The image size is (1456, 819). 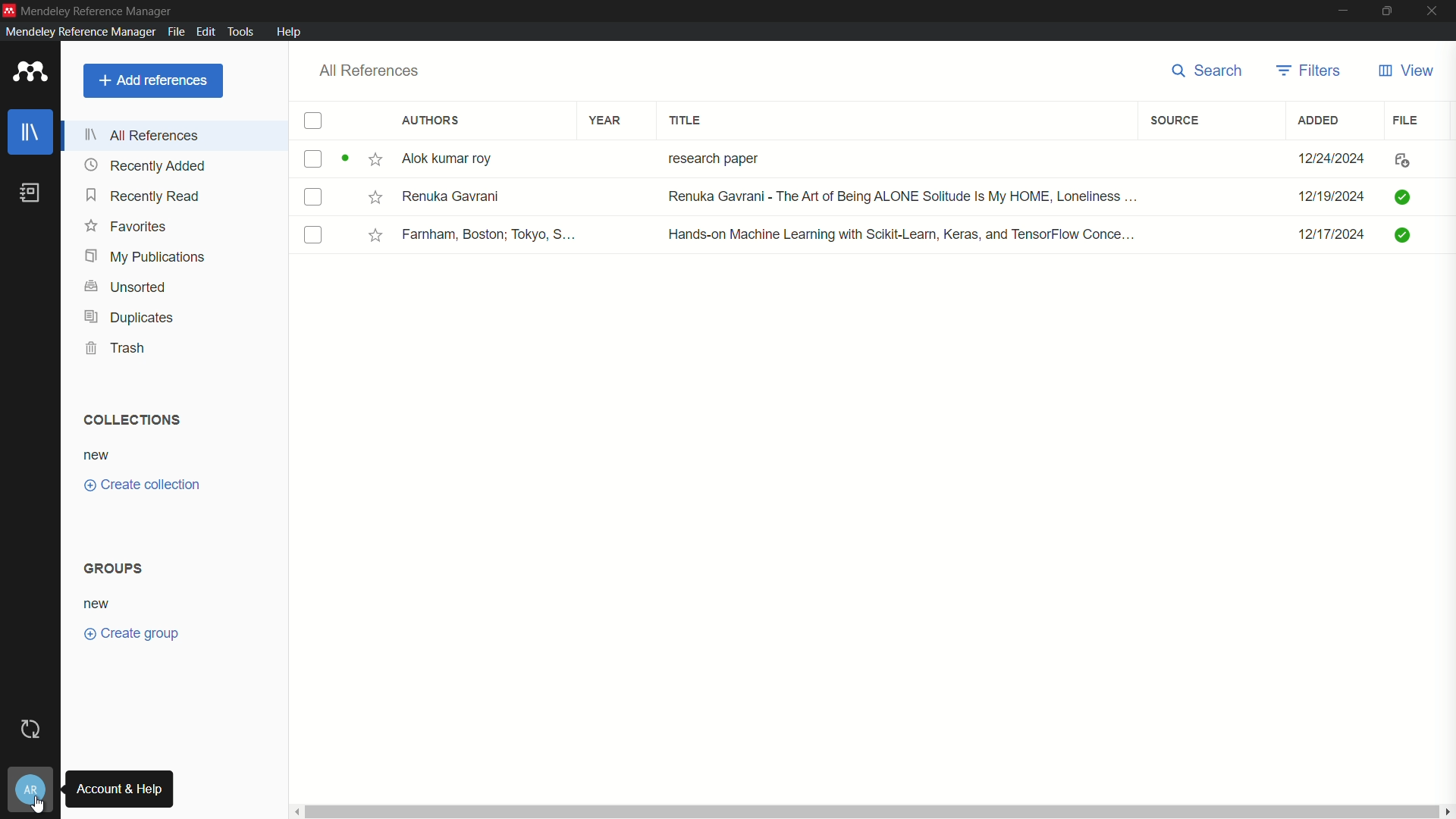 I want to click on account and help pop up, so click(x=119, y=789).